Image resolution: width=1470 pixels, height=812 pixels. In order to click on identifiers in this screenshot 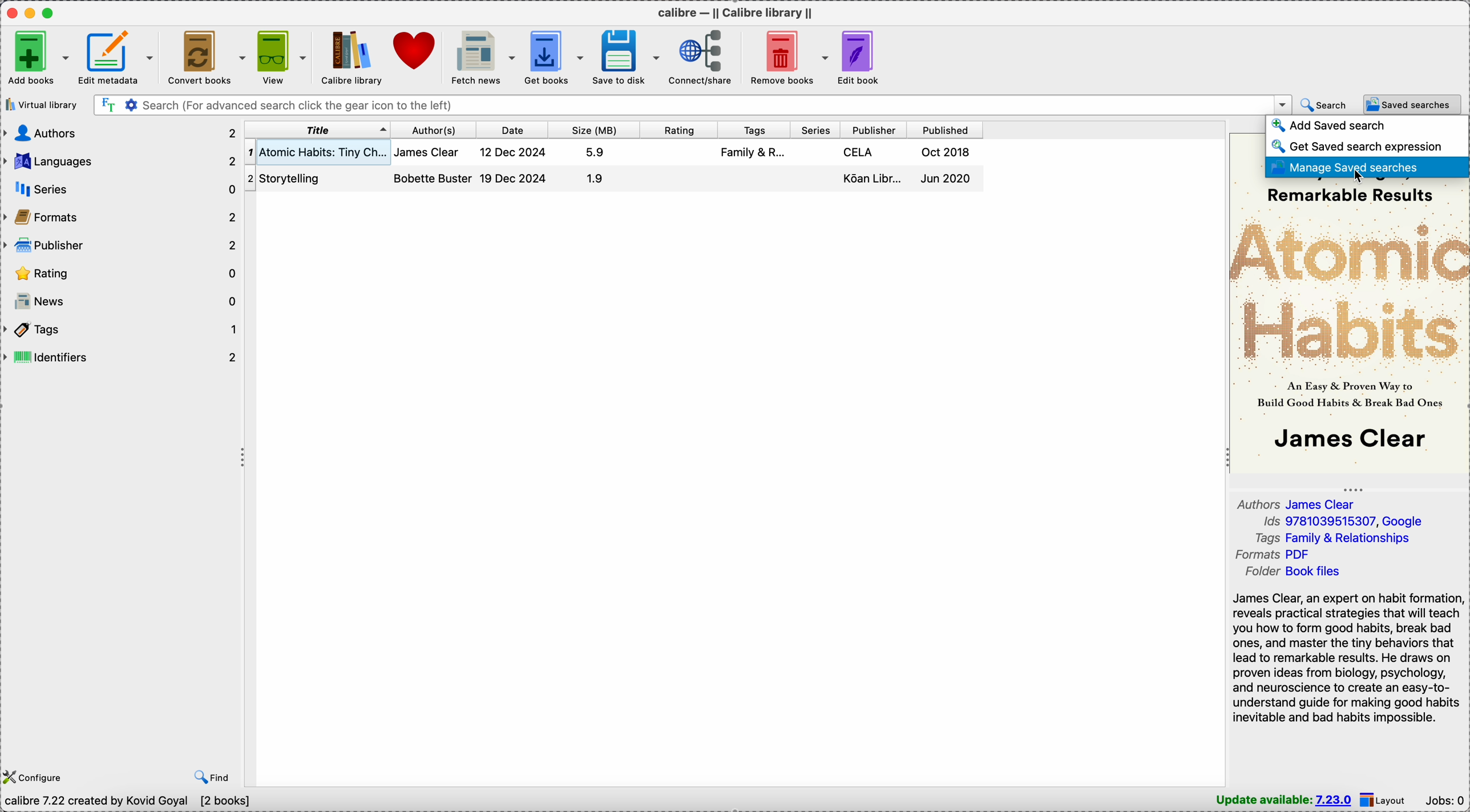, I will do `click(122, 357)`.